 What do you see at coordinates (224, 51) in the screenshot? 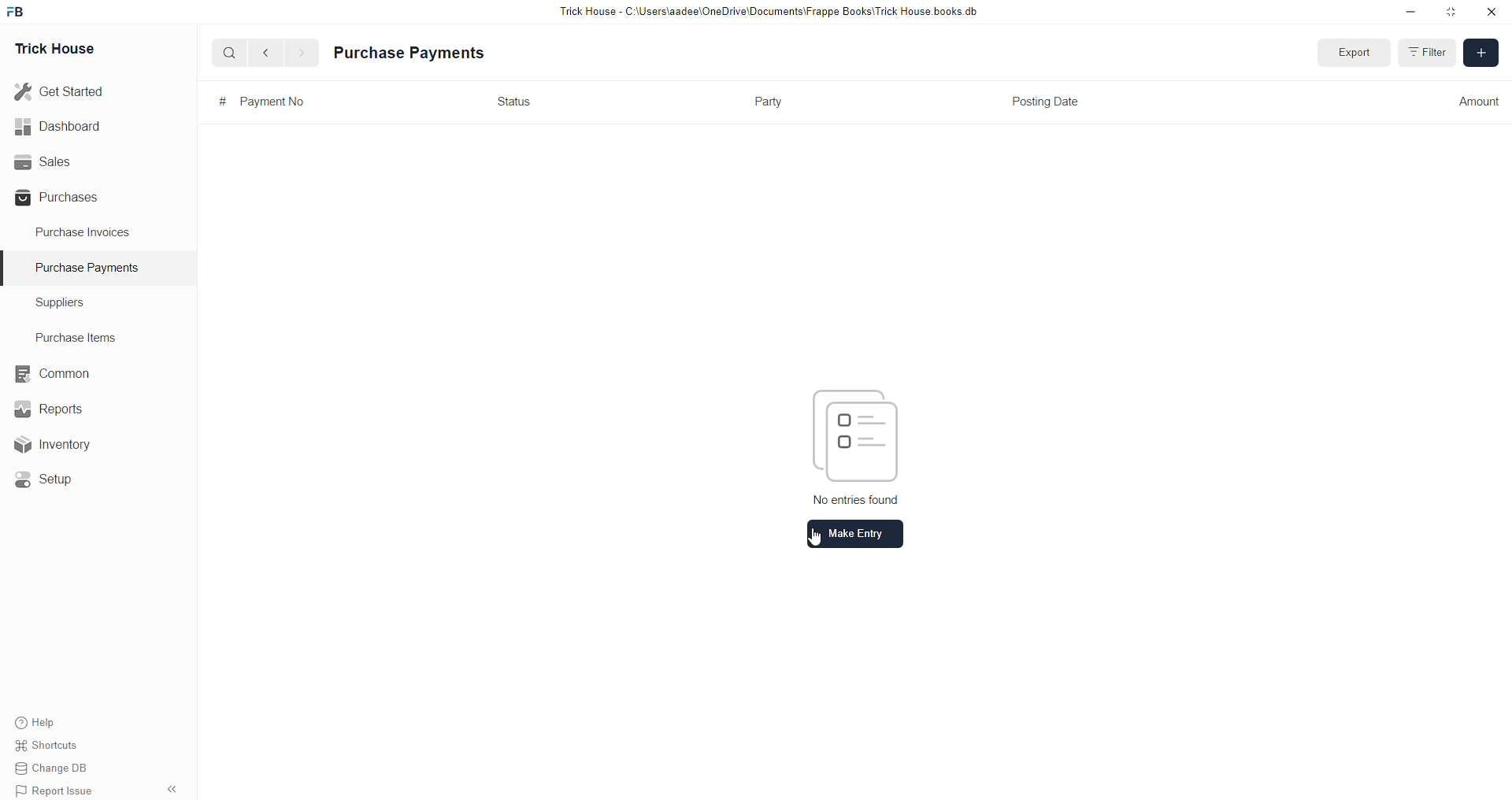
I see `Q` at bounding box center [224, 51].